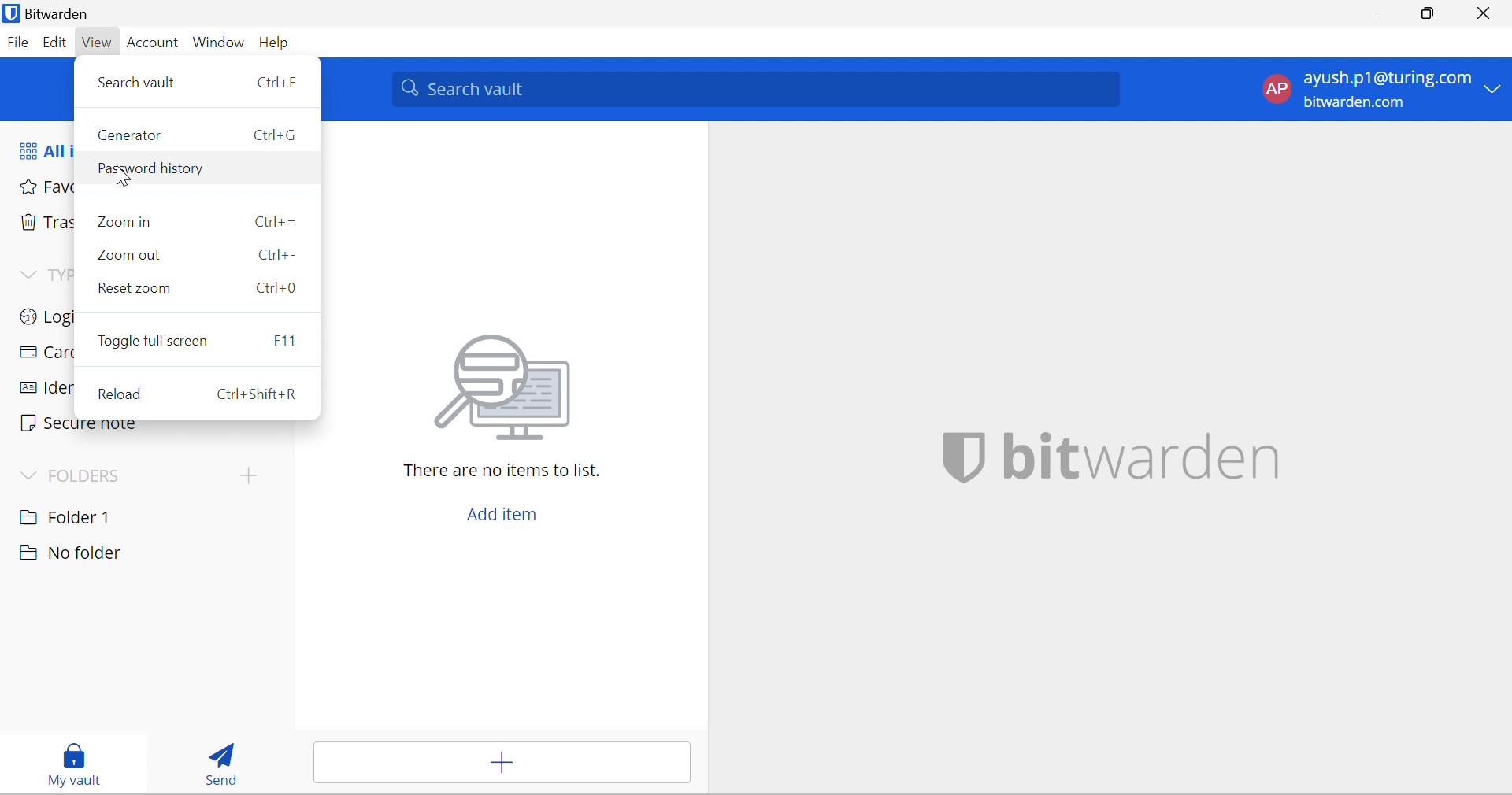 Image resolution: width=1512 pixels, height=795 pixels. What do you see at coordinates (81, 516) in the screenshot?
I see `folder 1` at bounding box center [81, 516].